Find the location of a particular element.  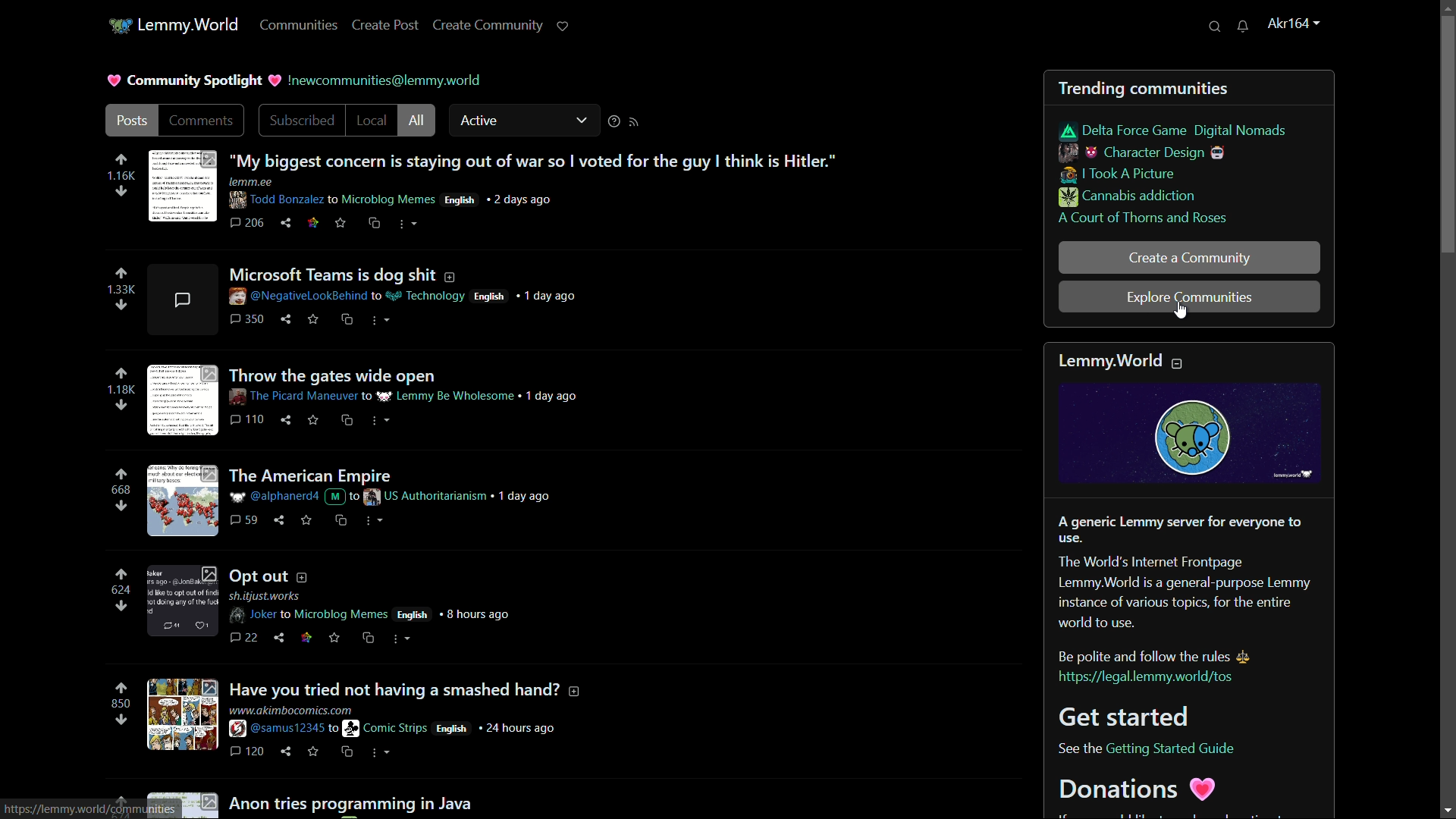

share is located at coordinates (281, 635).